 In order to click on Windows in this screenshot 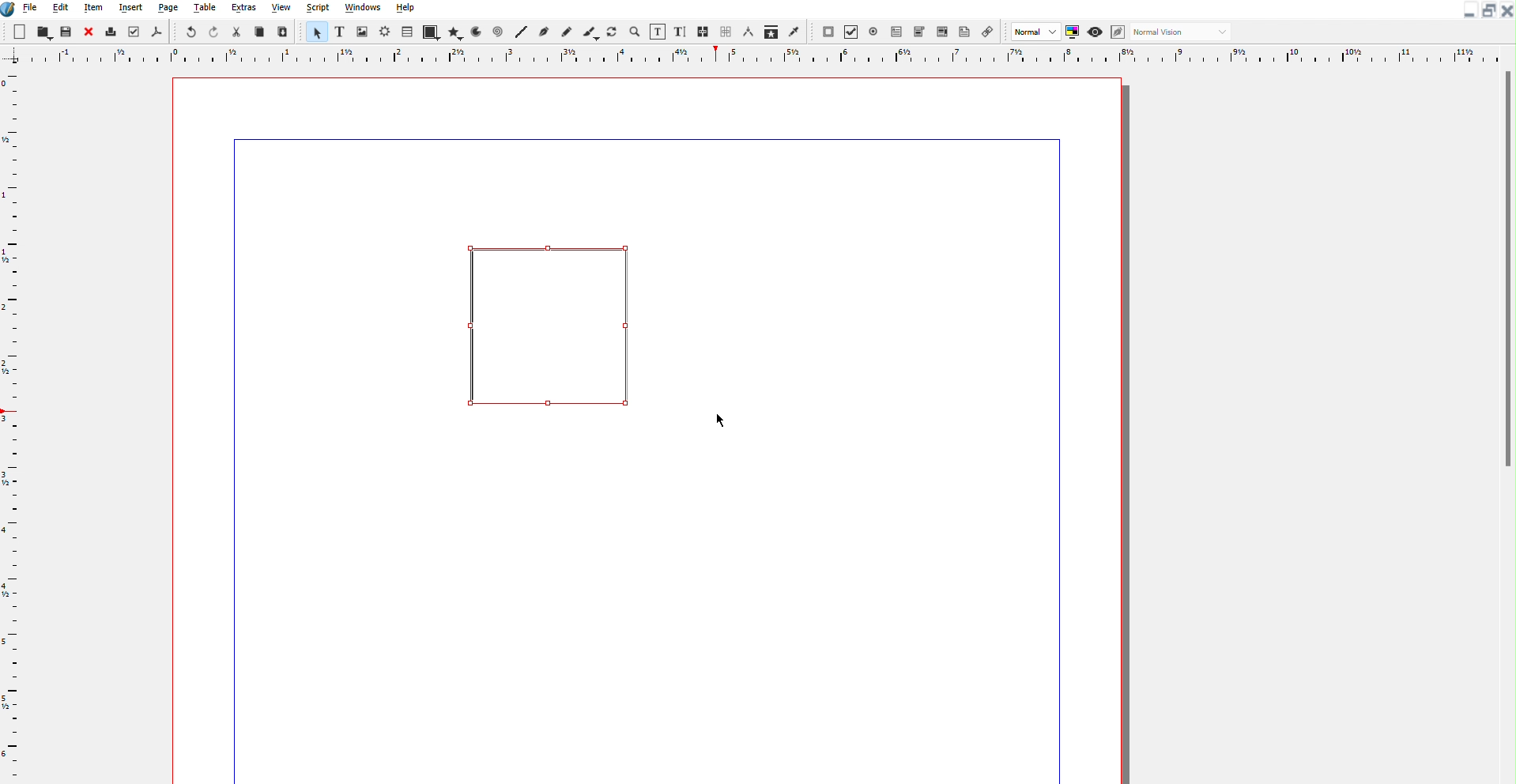, I will do `click(363, 9)`.